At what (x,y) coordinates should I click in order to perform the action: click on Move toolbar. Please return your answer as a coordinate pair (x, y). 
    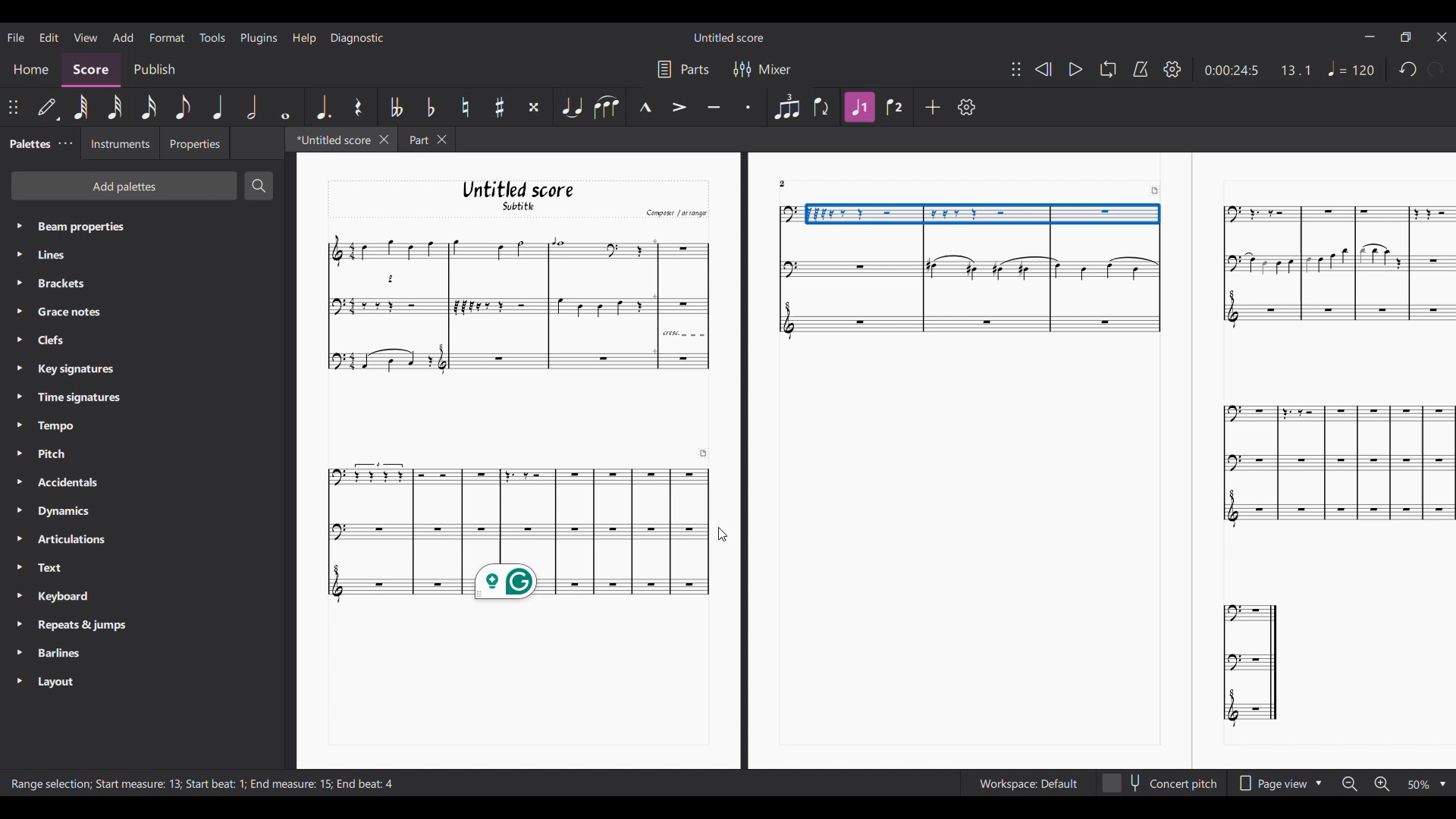
    Looking at the image, I should click on (1016, 69).